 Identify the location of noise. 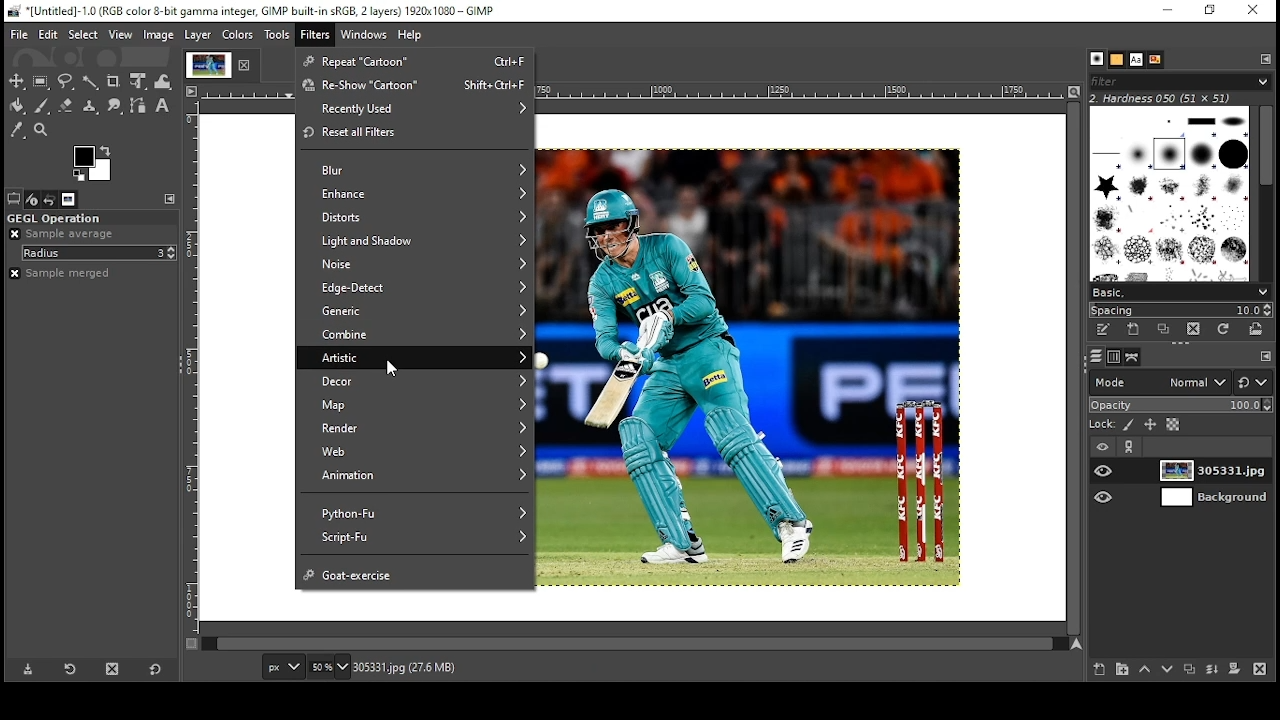
(414, 264).